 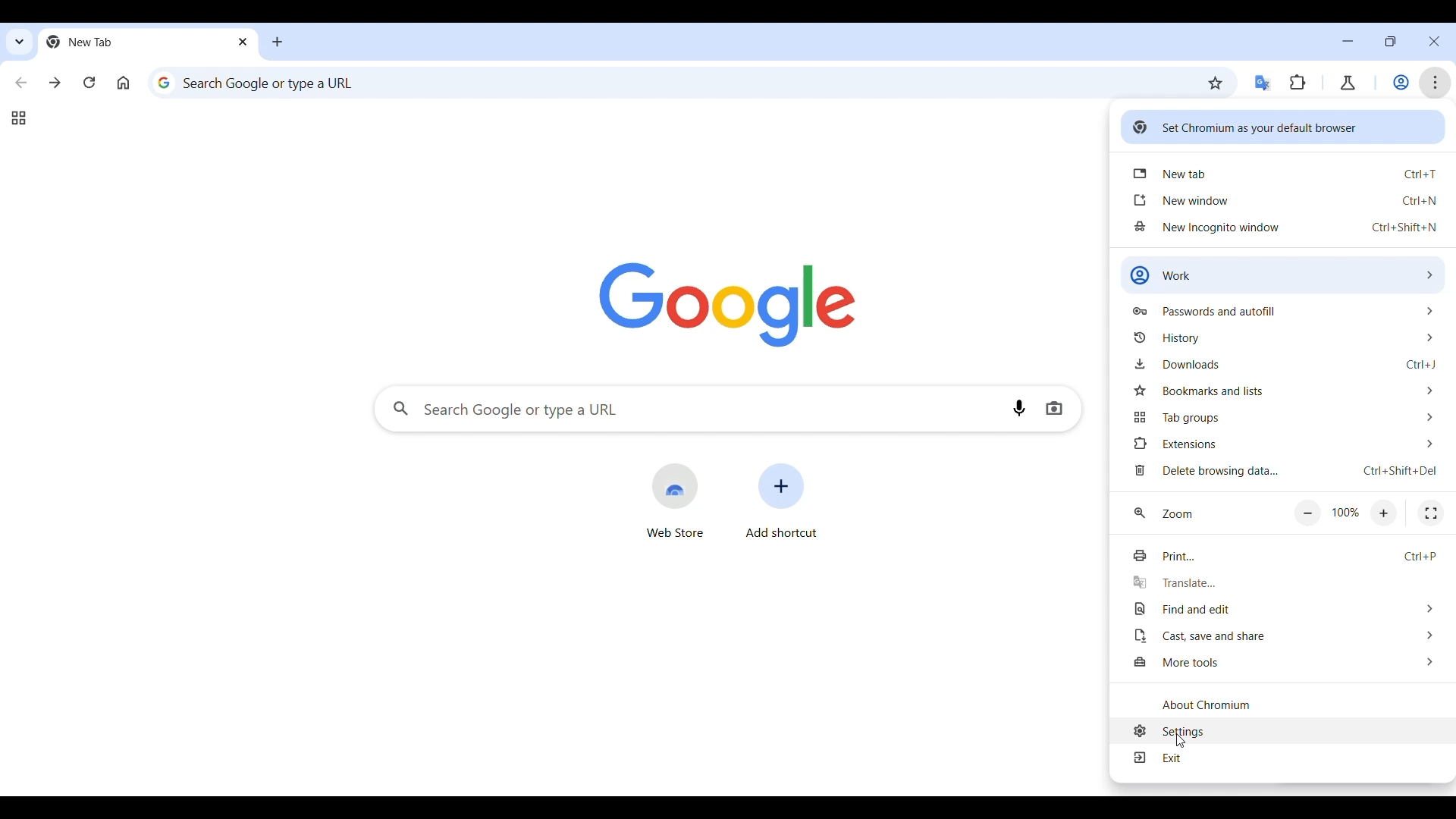 I want to click on Work options, so click(x=1283, y=274).